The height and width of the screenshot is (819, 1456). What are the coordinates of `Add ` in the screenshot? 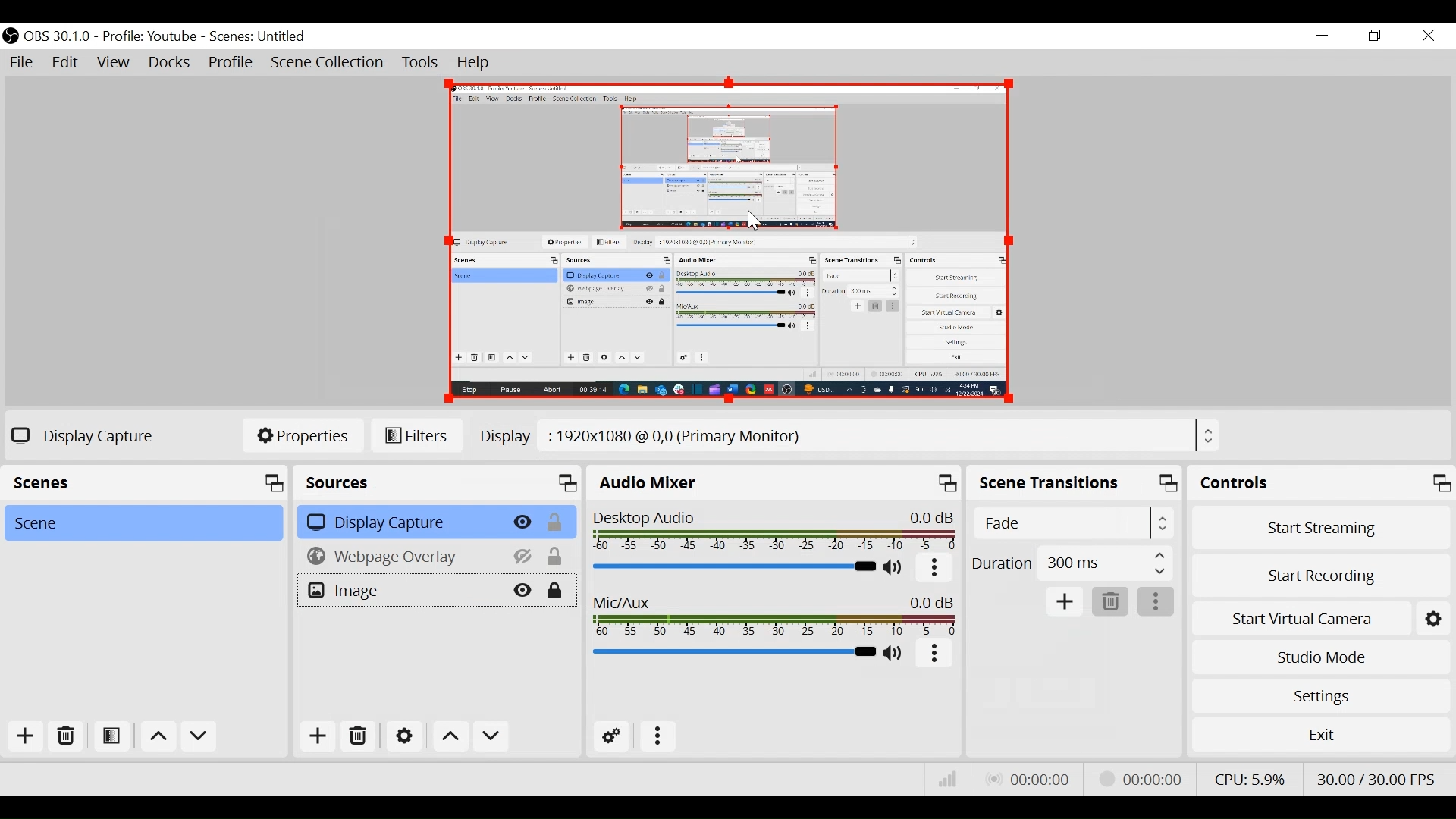 It's located at (1065, 602).